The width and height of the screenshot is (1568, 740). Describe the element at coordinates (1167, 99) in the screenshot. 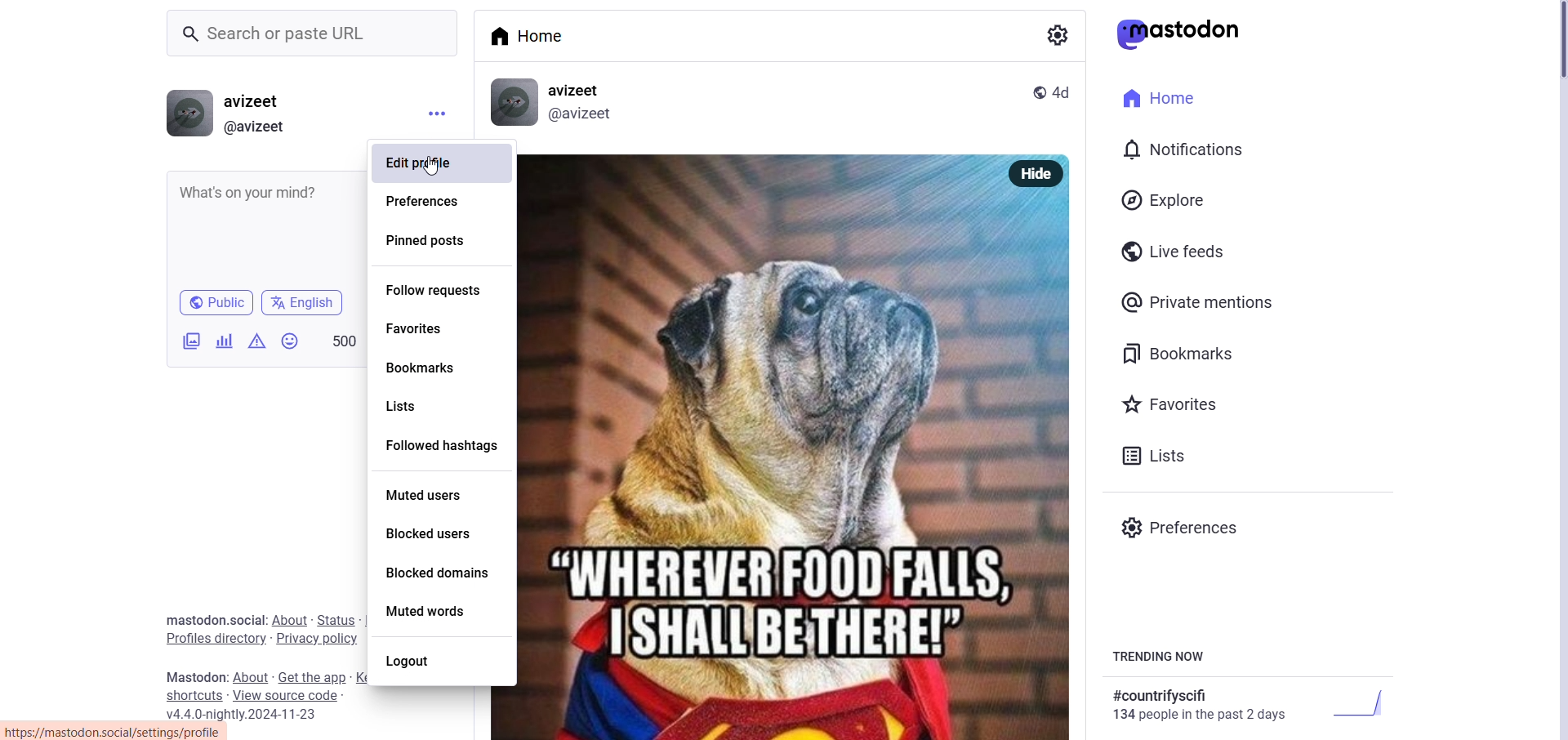

I see `home` at that location.